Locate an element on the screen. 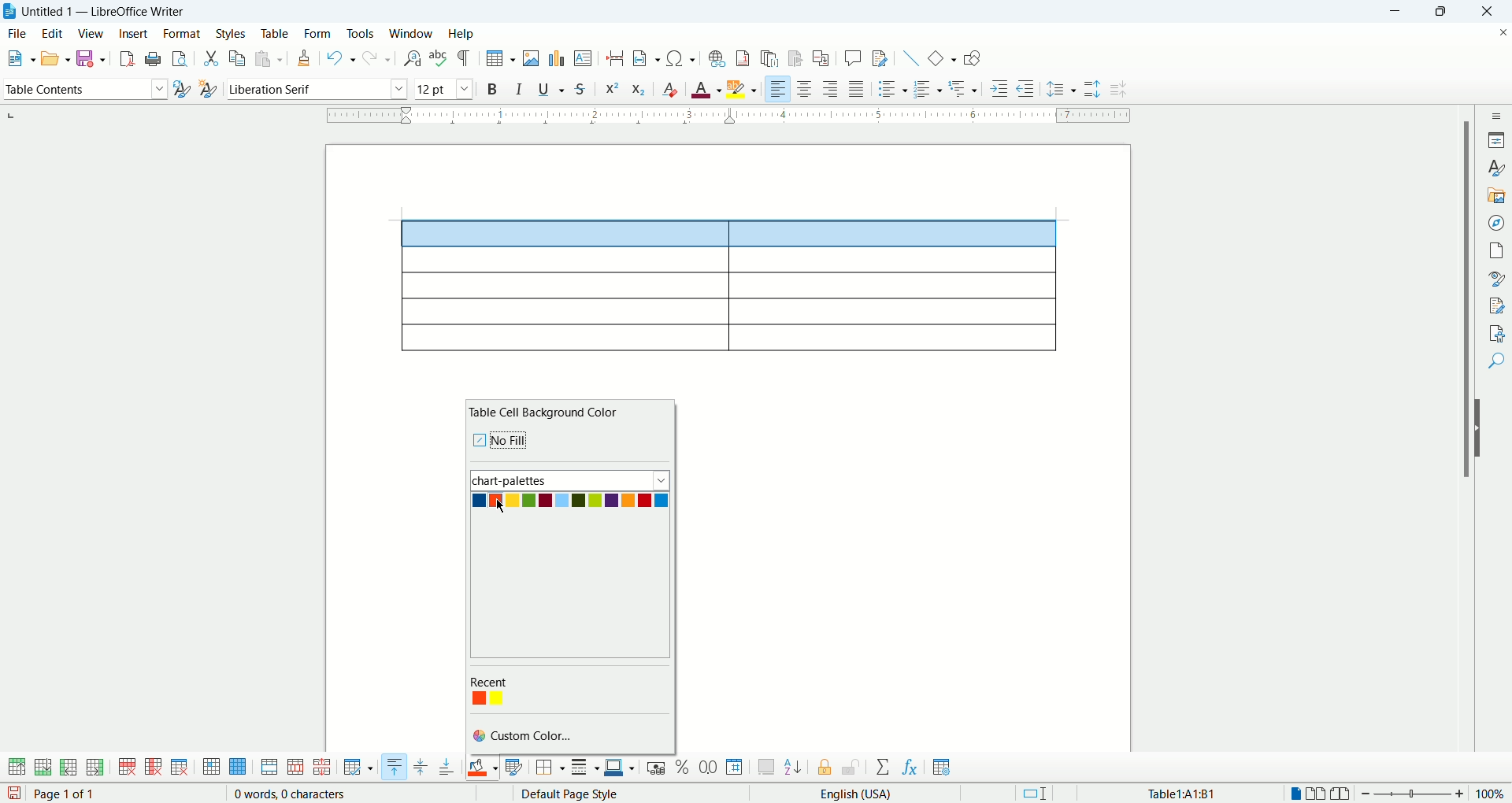 Image resolution: width=1512 pixels, height=803 pixels. find is located at coordinates (1497, 363).